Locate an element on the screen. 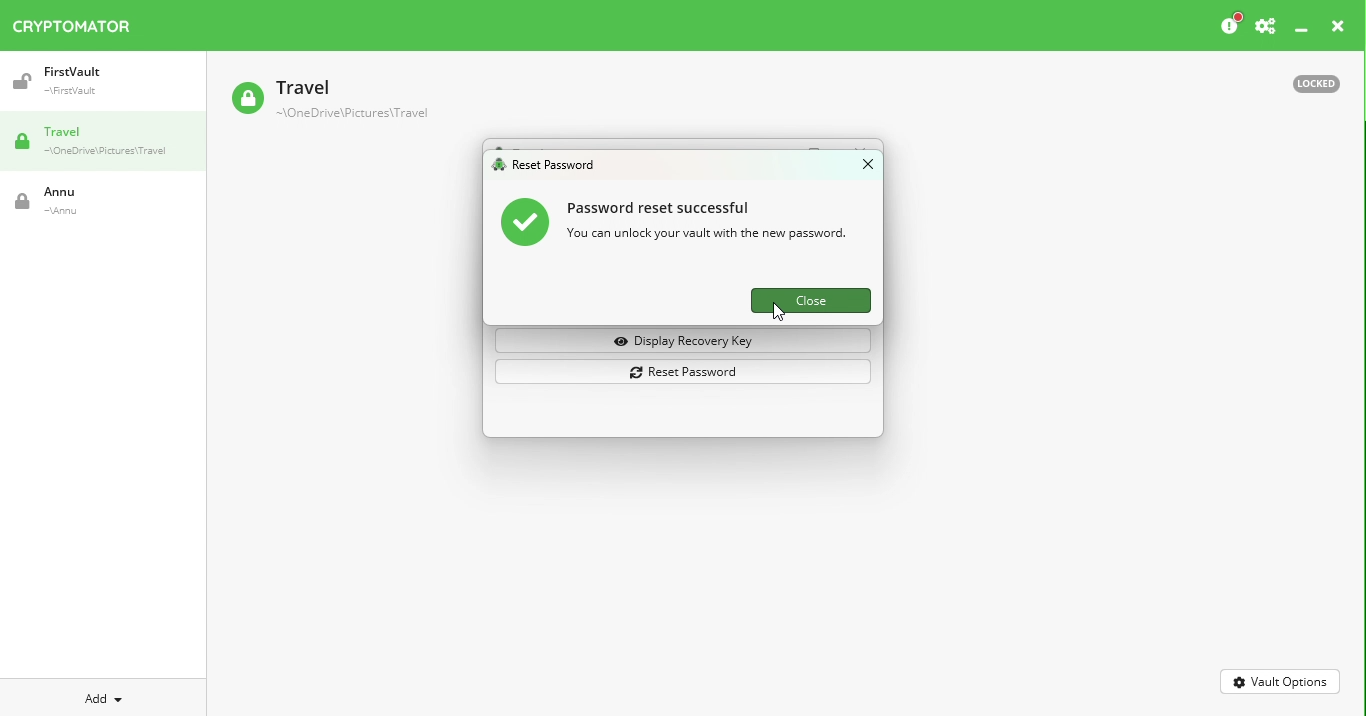  Add new vault is located at coordinates (104, 696).